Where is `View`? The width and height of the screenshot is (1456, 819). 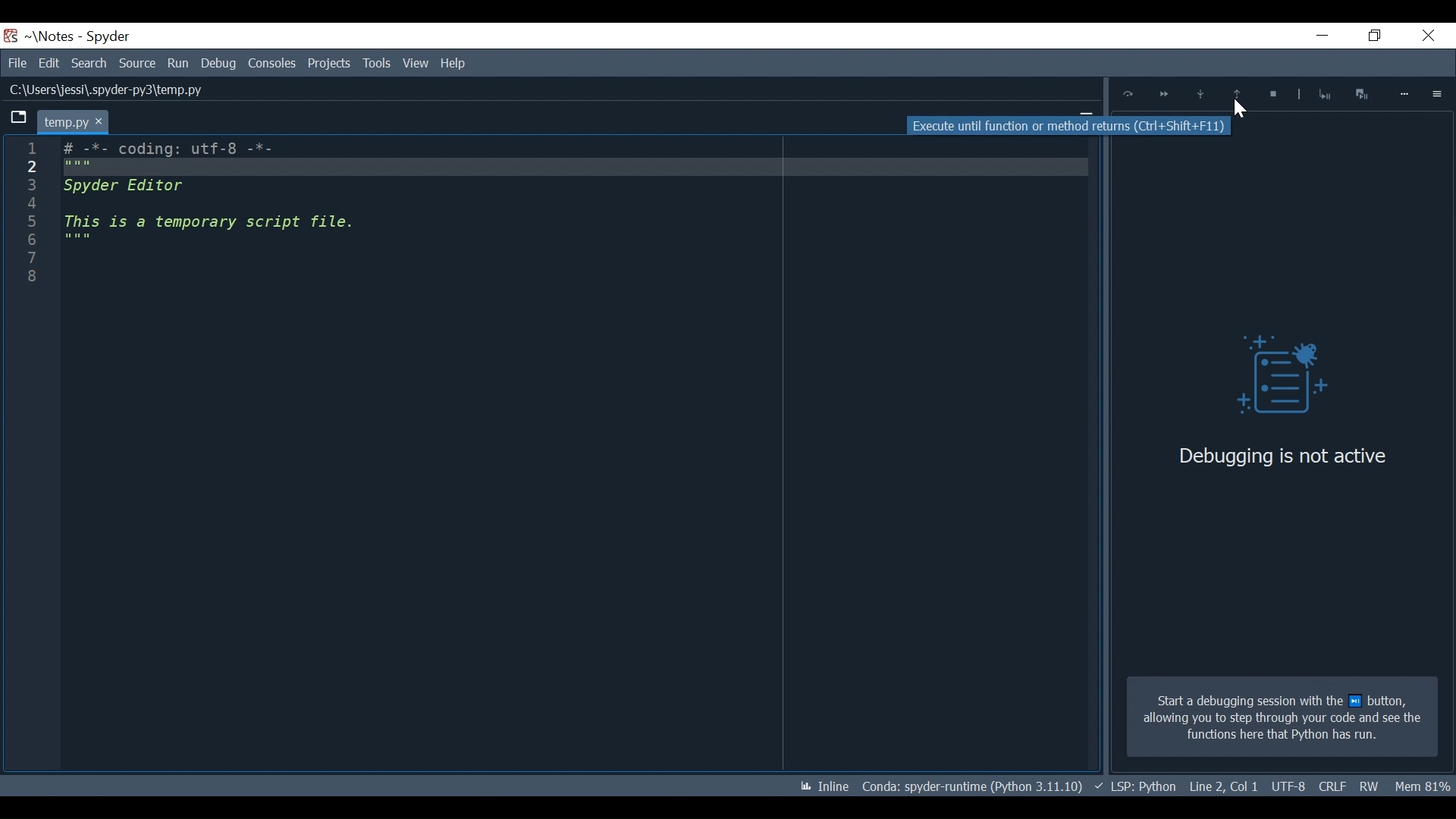
View is located at coordinates (376, 63).